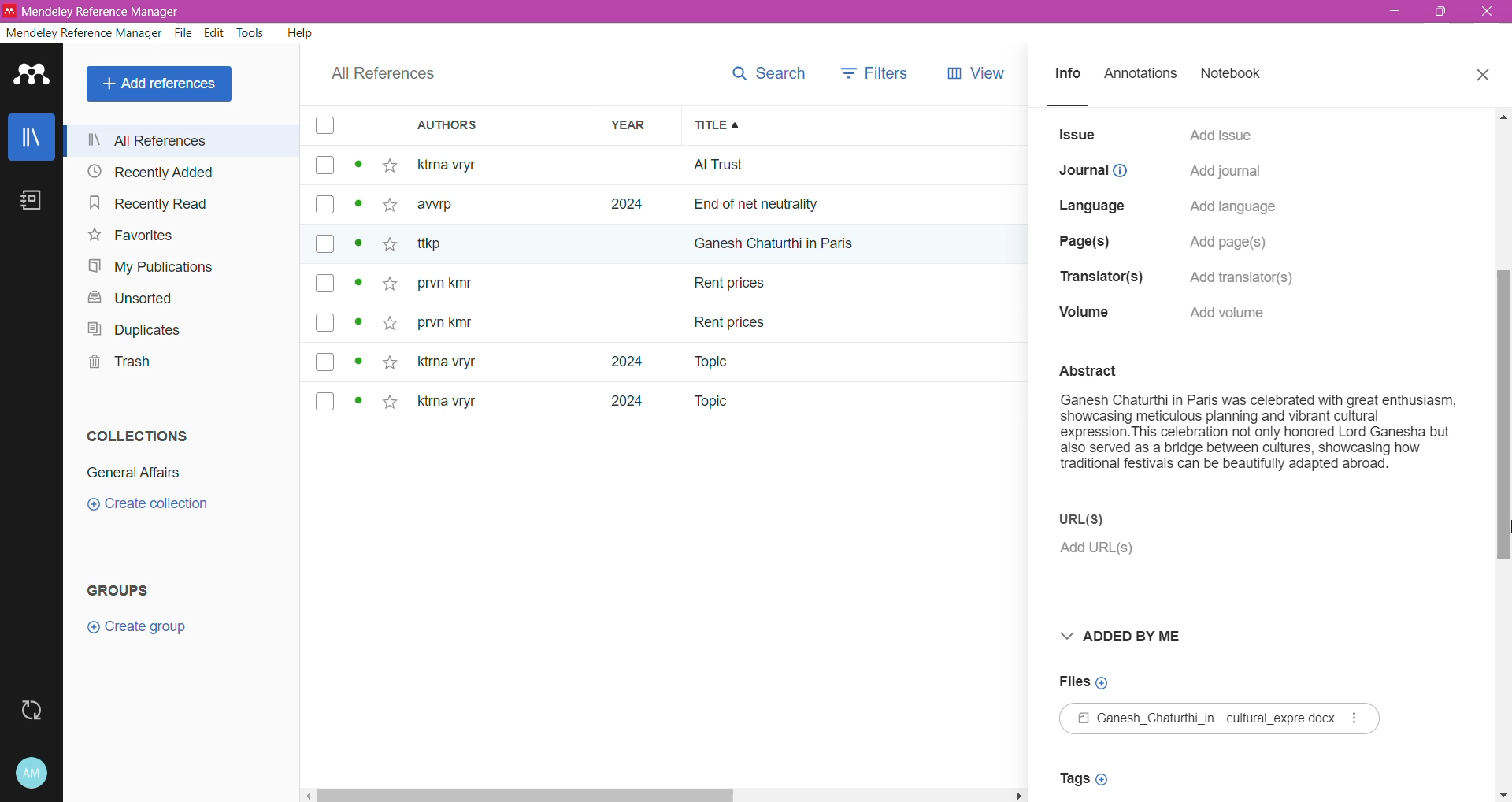 This screenshot has height=802, width=1512. What do you see at coordinates (1221, 133) in the screenshot?
I see `Click to add Issue` at bounding box center [1221, 133].